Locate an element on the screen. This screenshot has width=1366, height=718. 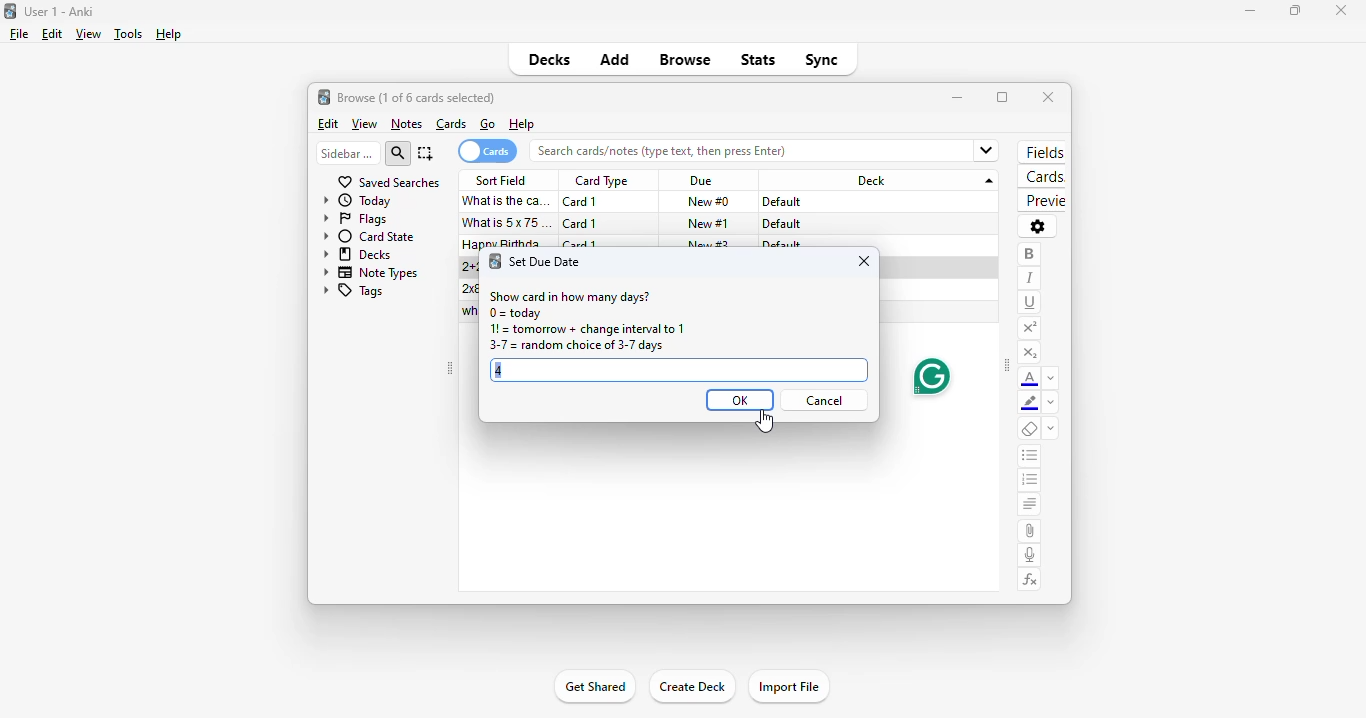
maximize is located at coordinates (1294, 12).